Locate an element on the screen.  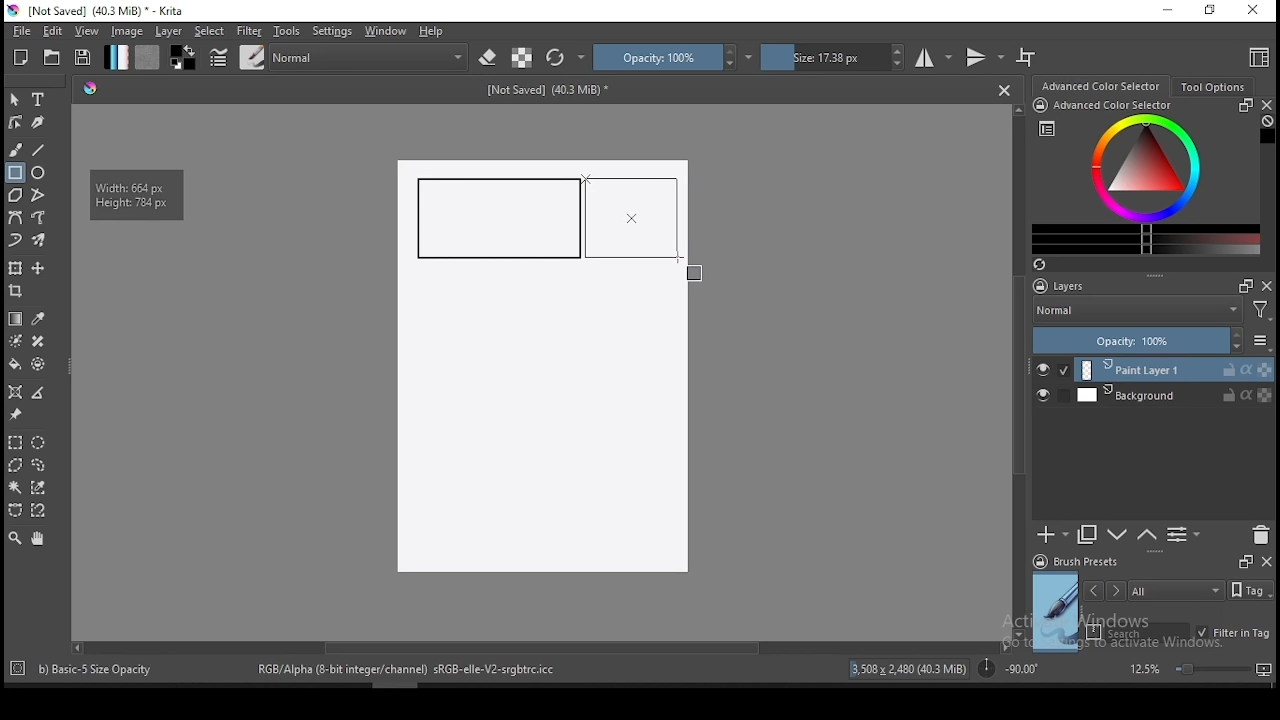
delete layer is located at coordinates (1260, 536).